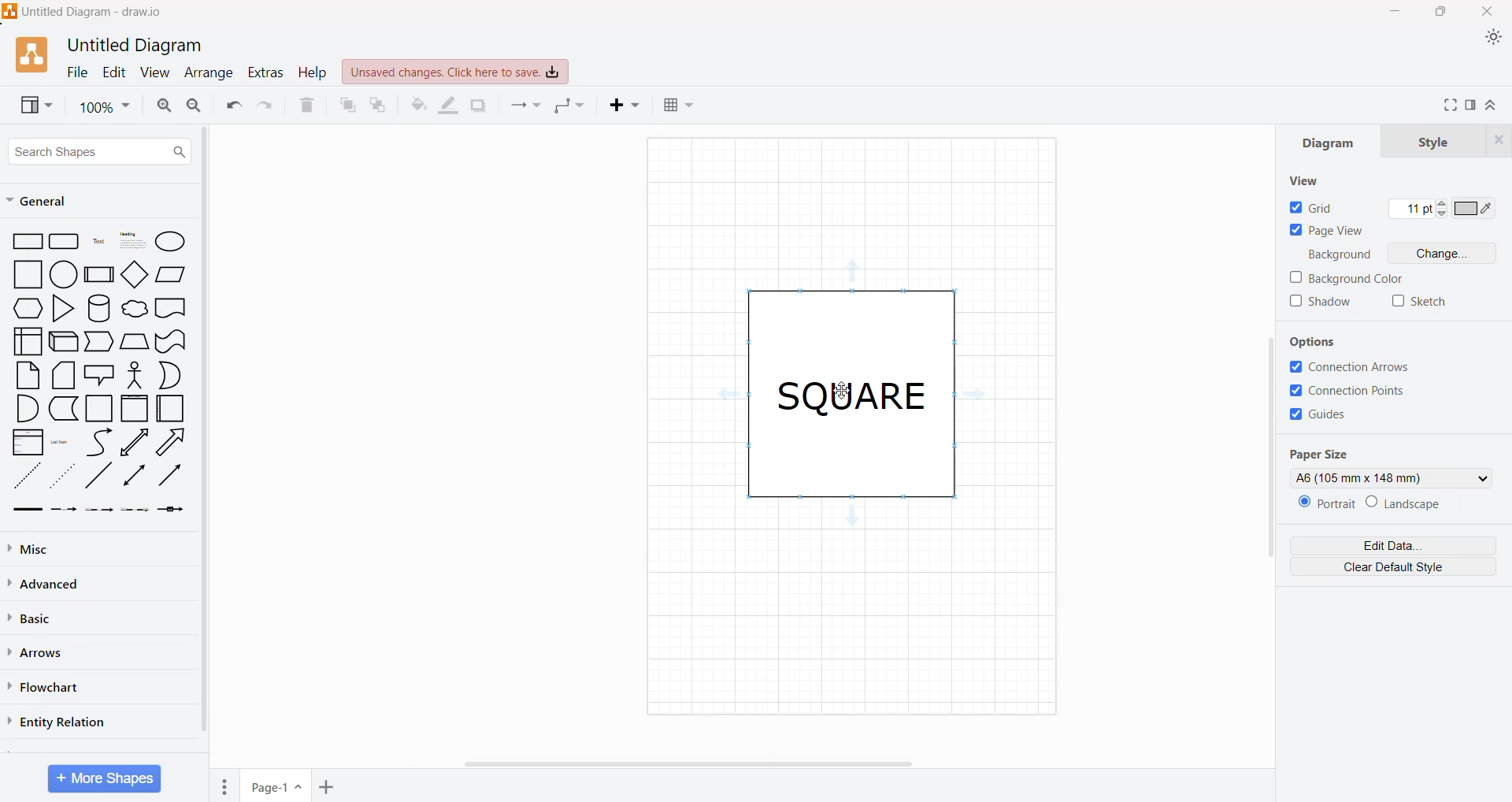  I want to click on Square , so click(98, 408).